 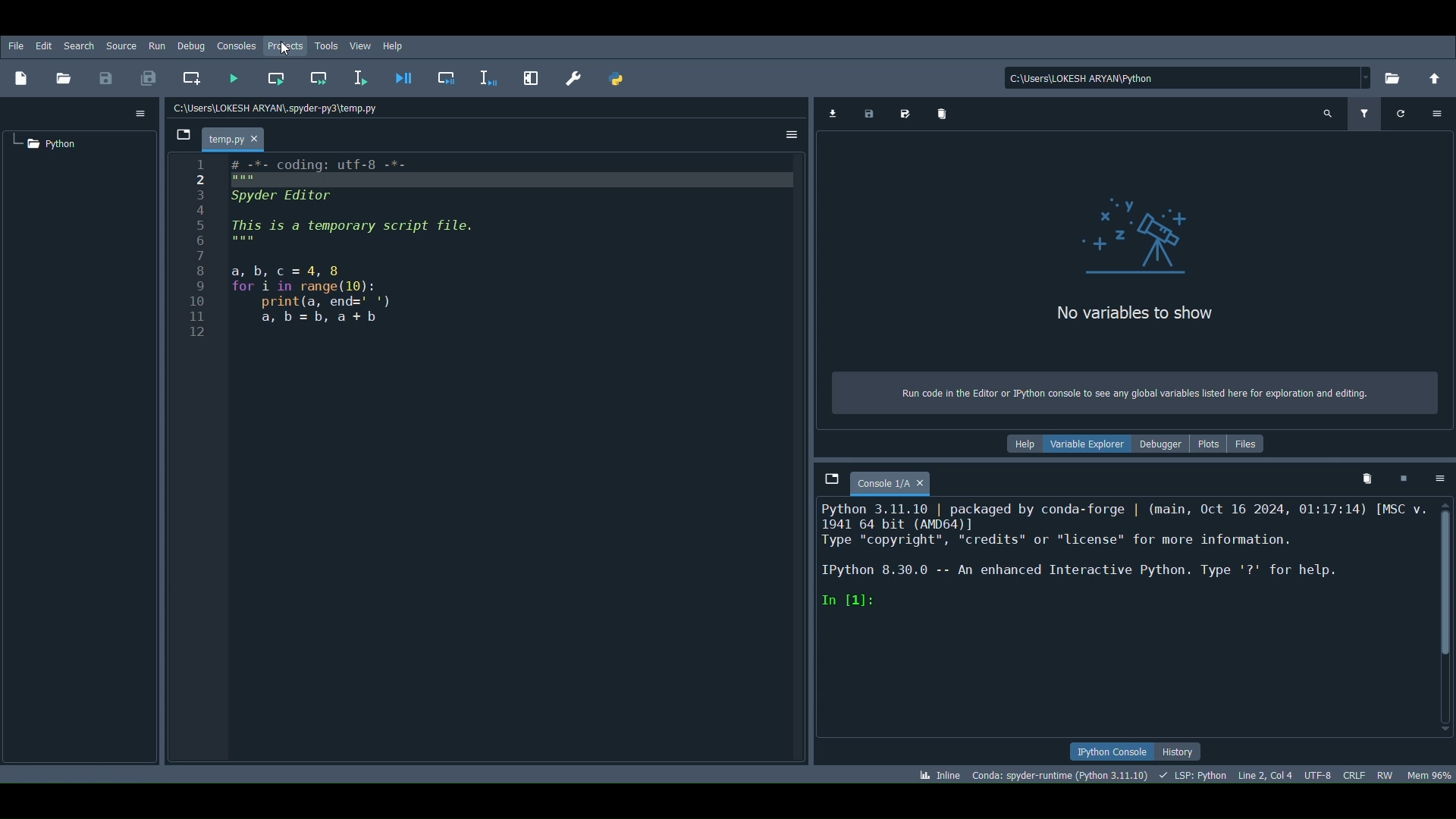 What do you see at coordinates (488, 460) in the screenshot?
I see `Code block` at bounding box center [488, 460].